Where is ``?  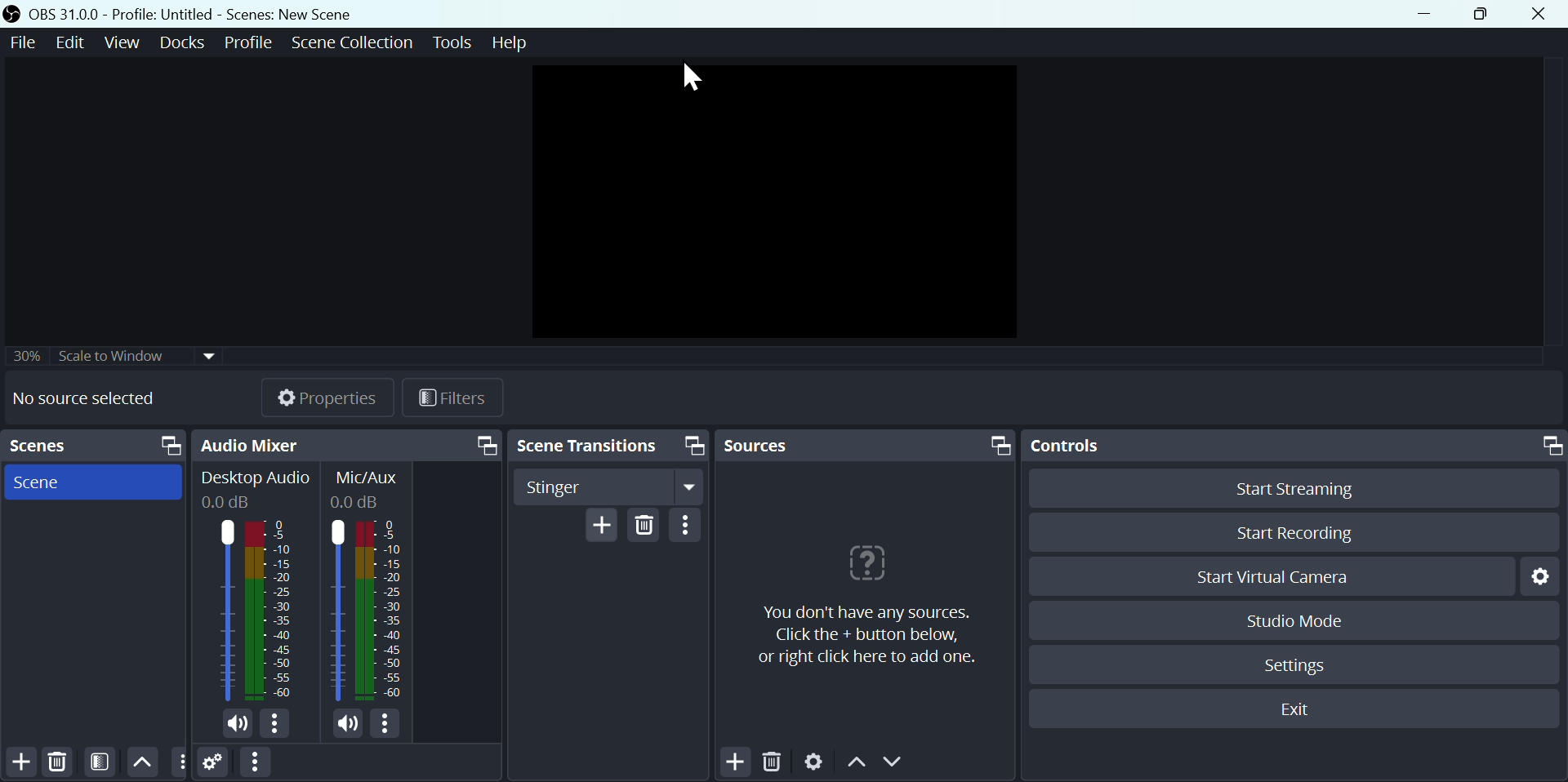  is located at coordinates (450, 40).